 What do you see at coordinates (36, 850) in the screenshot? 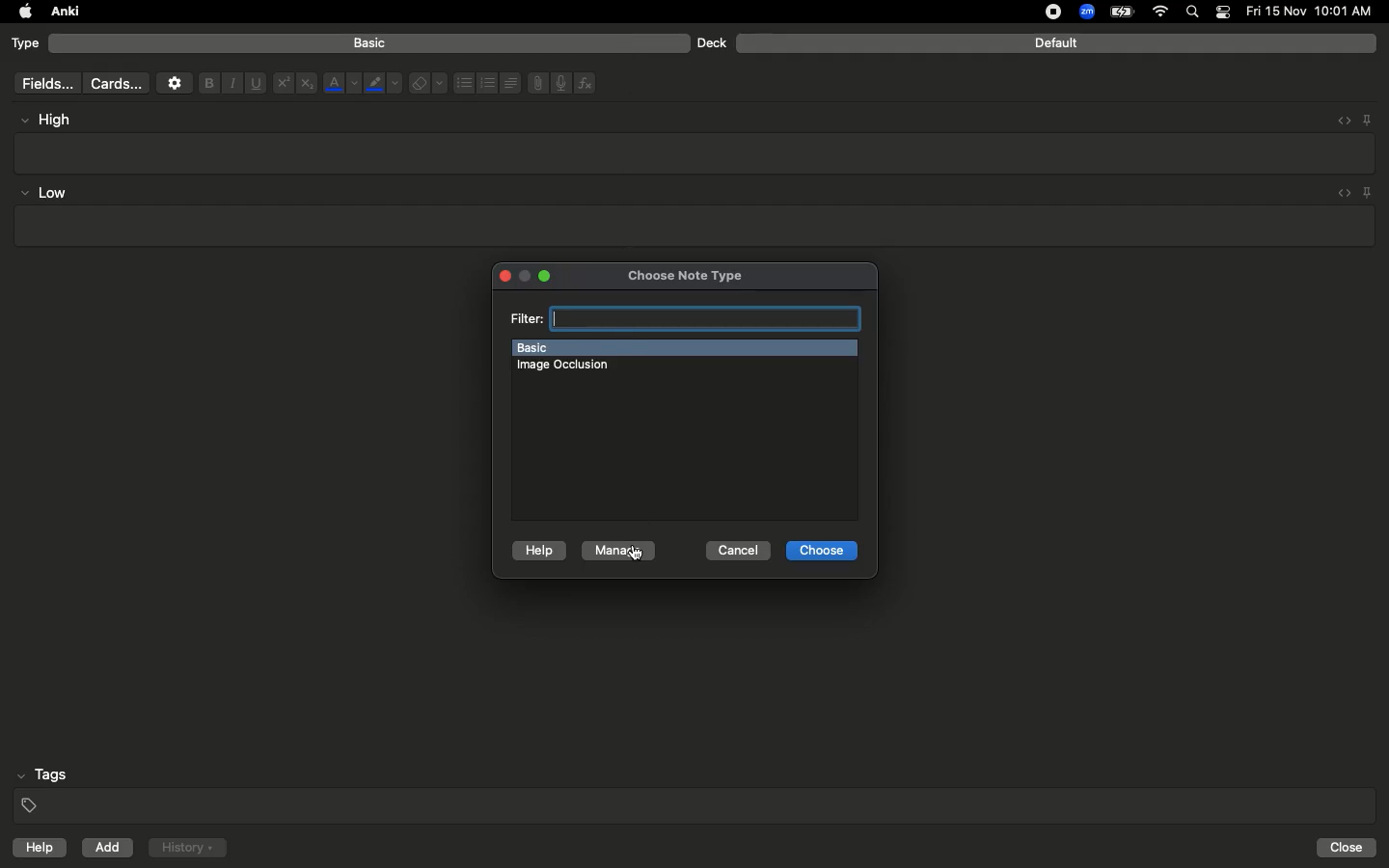
I see `help` at bounding box center [36, 850].